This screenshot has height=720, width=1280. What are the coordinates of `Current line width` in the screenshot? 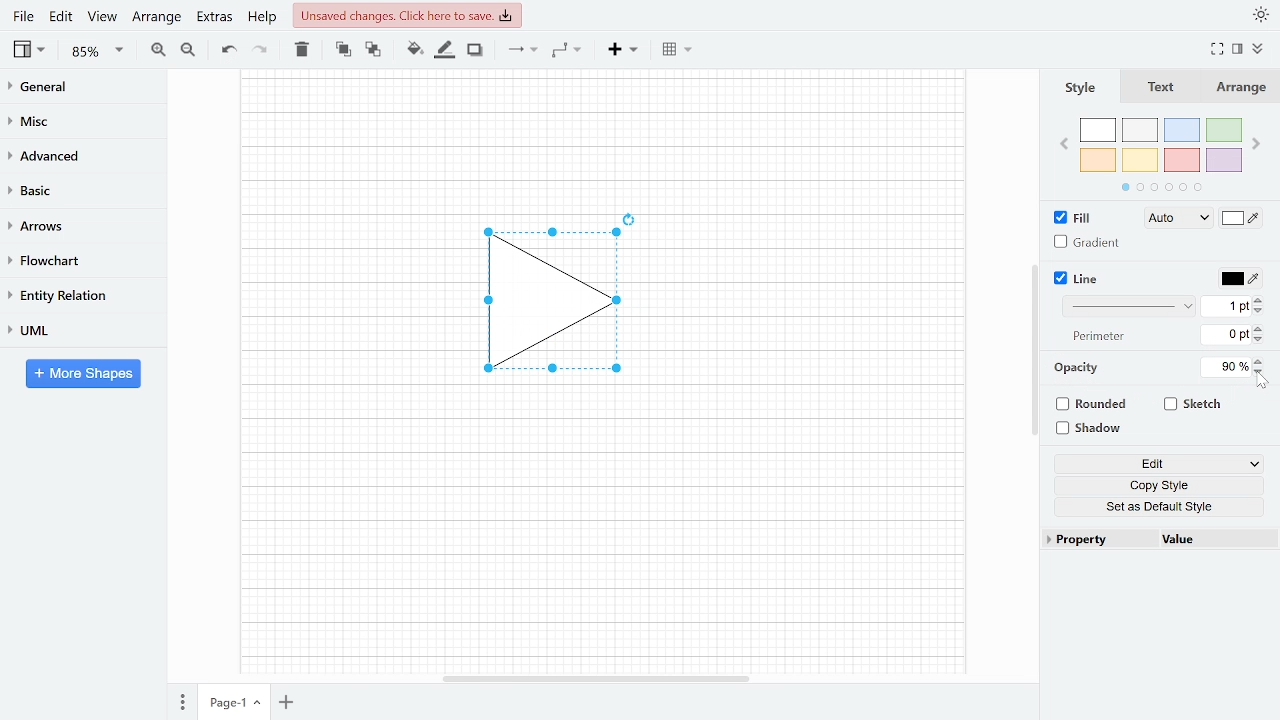 It's located at (1227, 305).